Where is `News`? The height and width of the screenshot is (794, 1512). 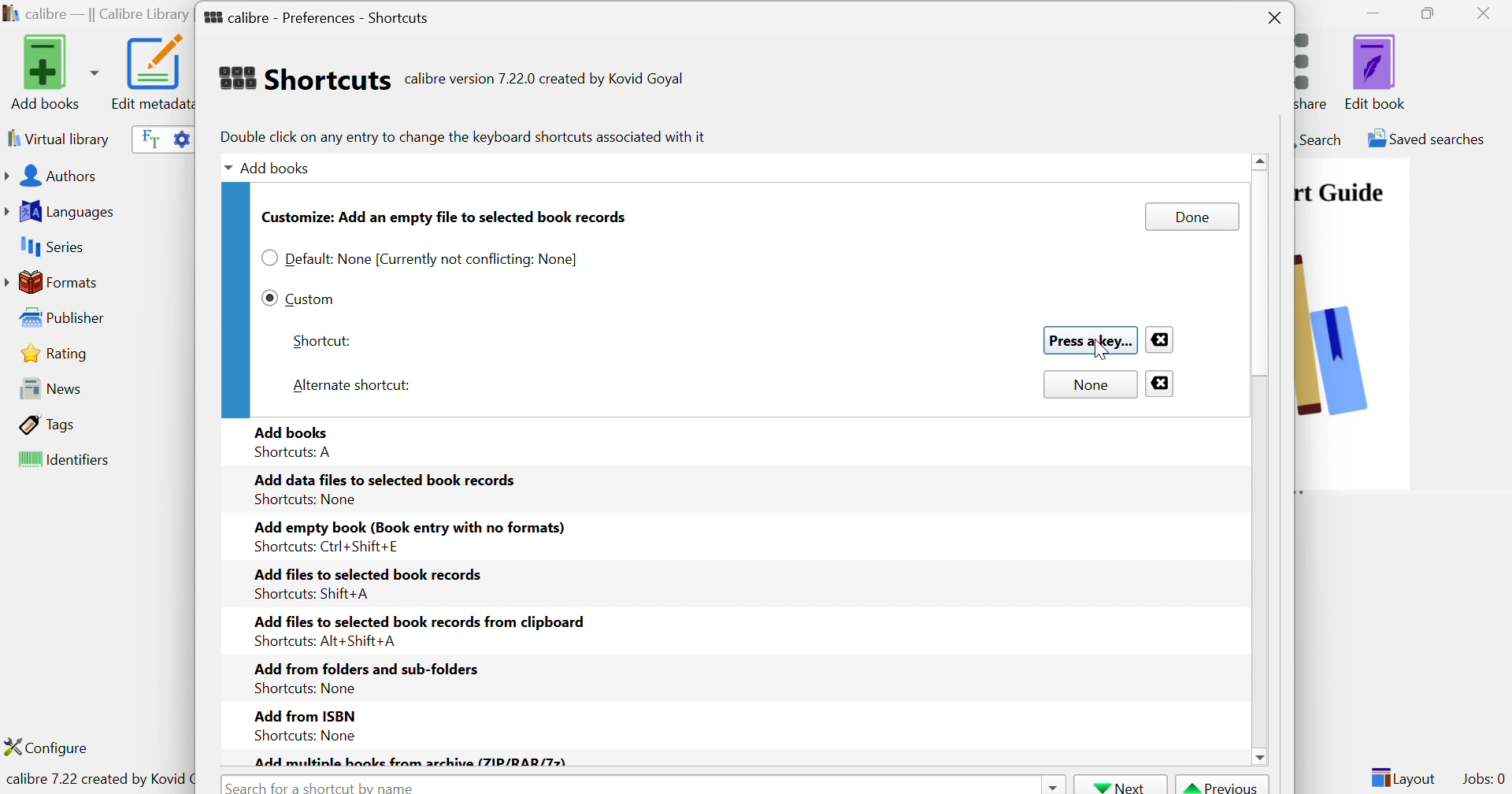
News is located at coordinates (46, 388).